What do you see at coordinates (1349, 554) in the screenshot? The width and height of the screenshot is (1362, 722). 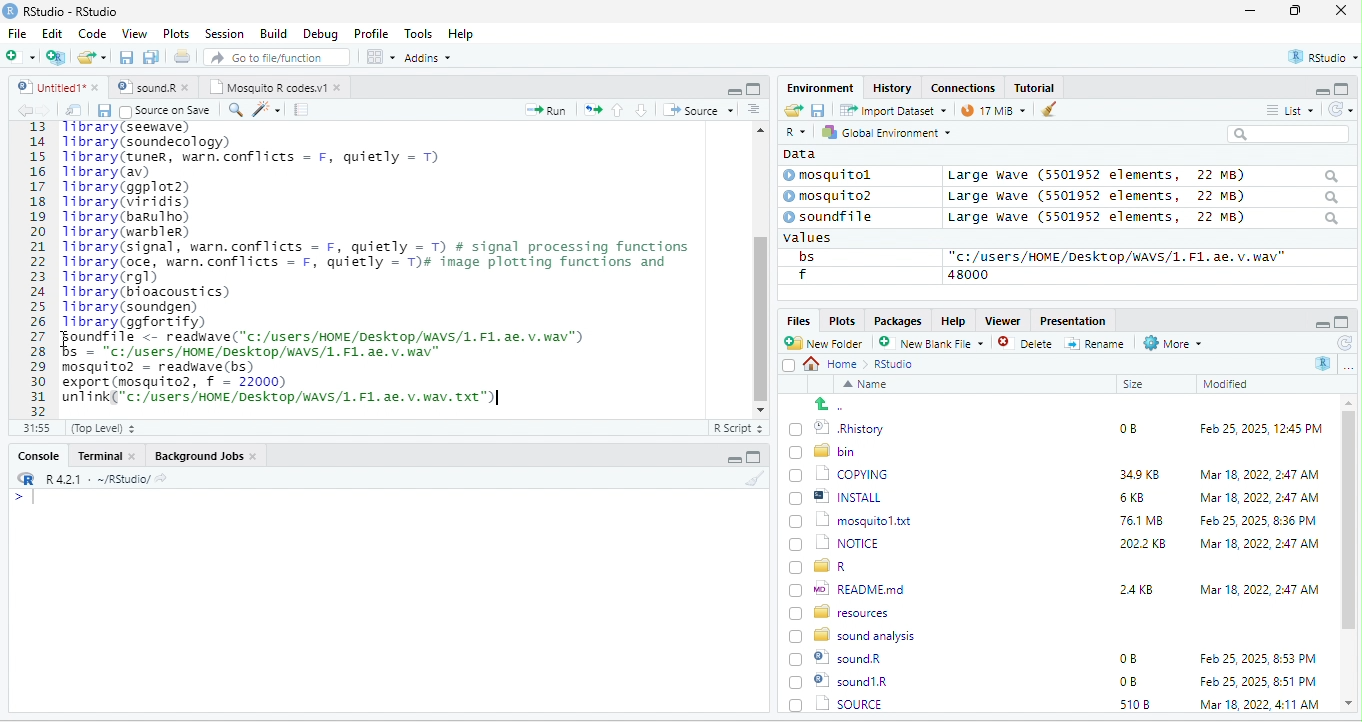 I see `scroll bar` at bounding box center [1349, 554].